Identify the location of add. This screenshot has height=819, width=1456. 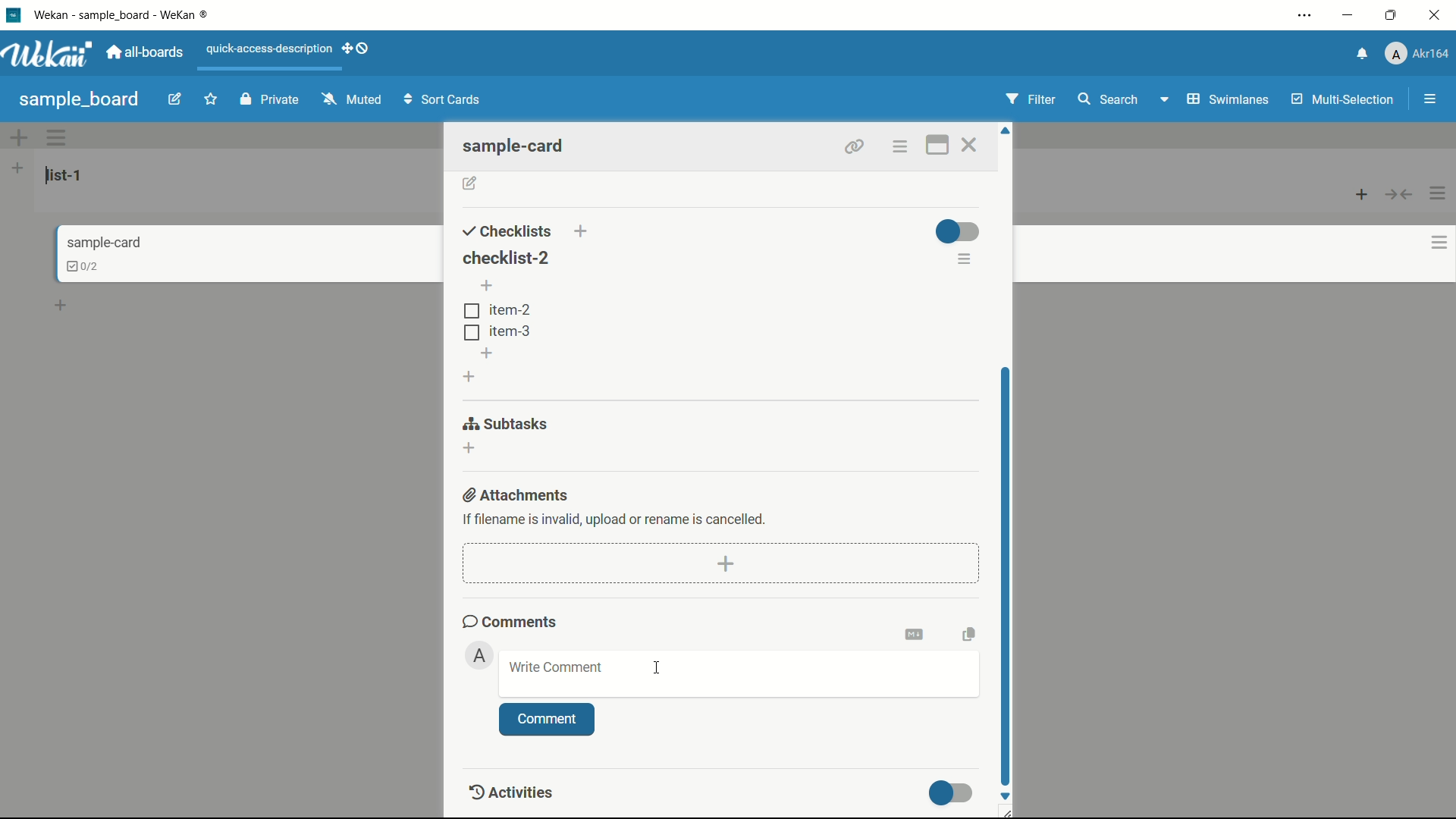
(63, 303).